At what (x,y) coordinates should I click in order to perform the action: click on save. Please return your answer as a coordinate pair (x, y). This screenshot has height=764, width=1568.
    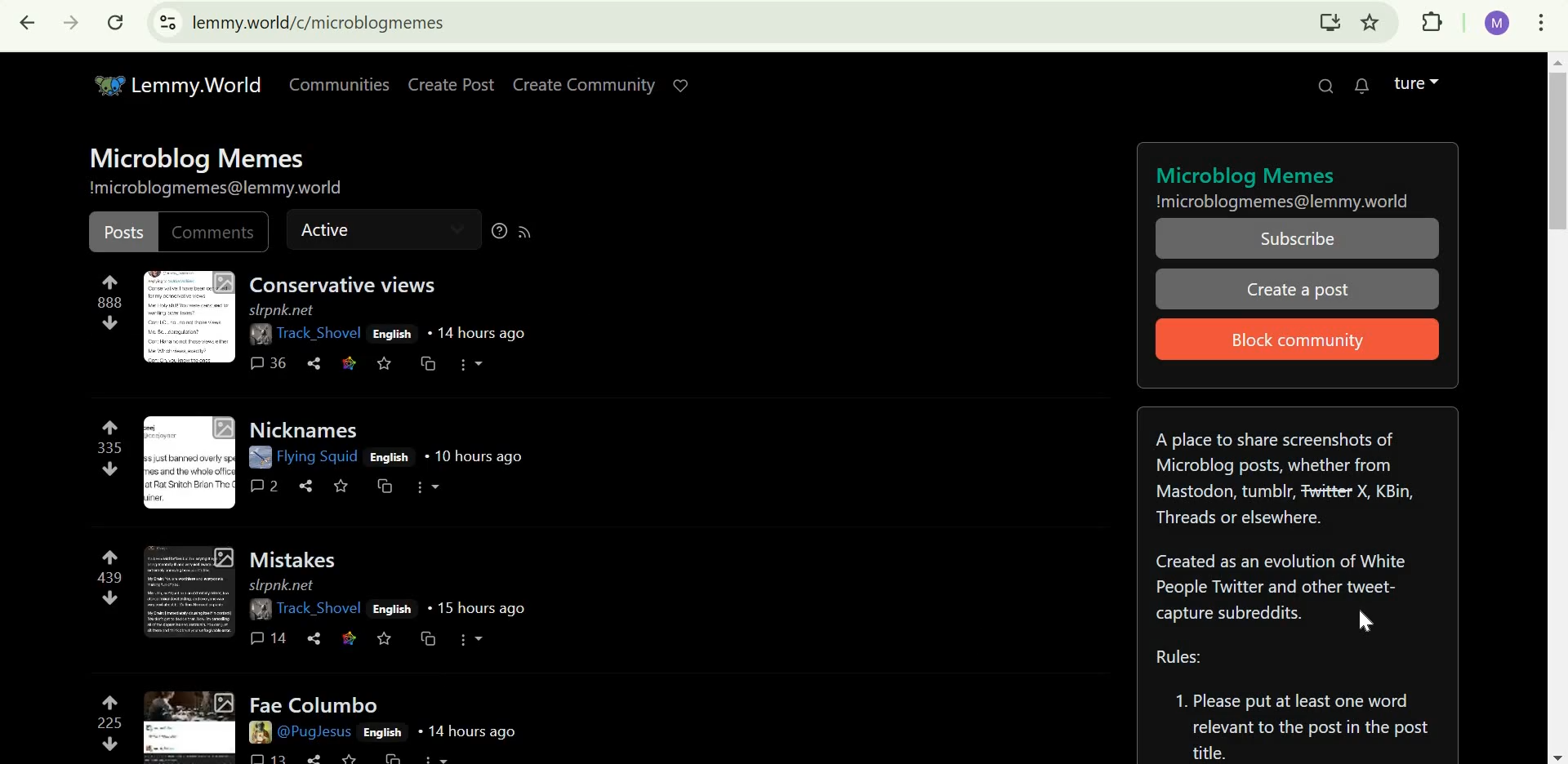
    Looking at the image, I should click on (341, 485).